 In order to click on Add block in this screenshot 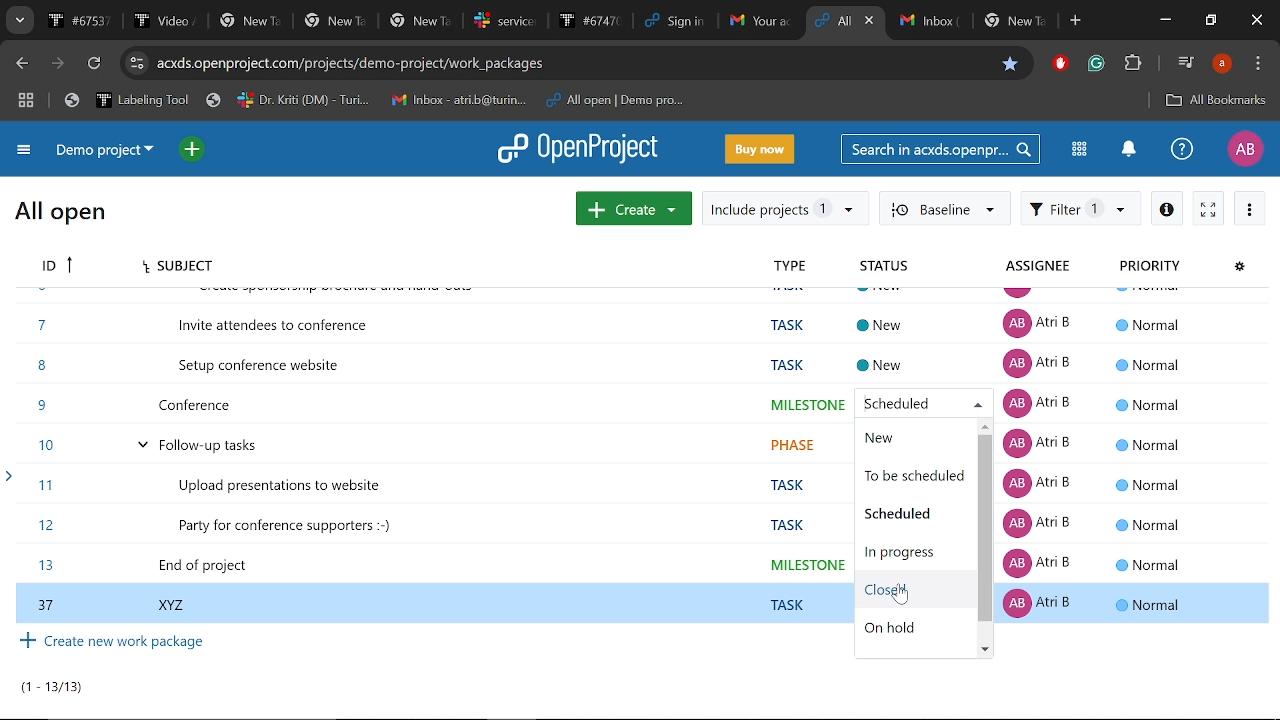, I will do `click(1061, 65)`.